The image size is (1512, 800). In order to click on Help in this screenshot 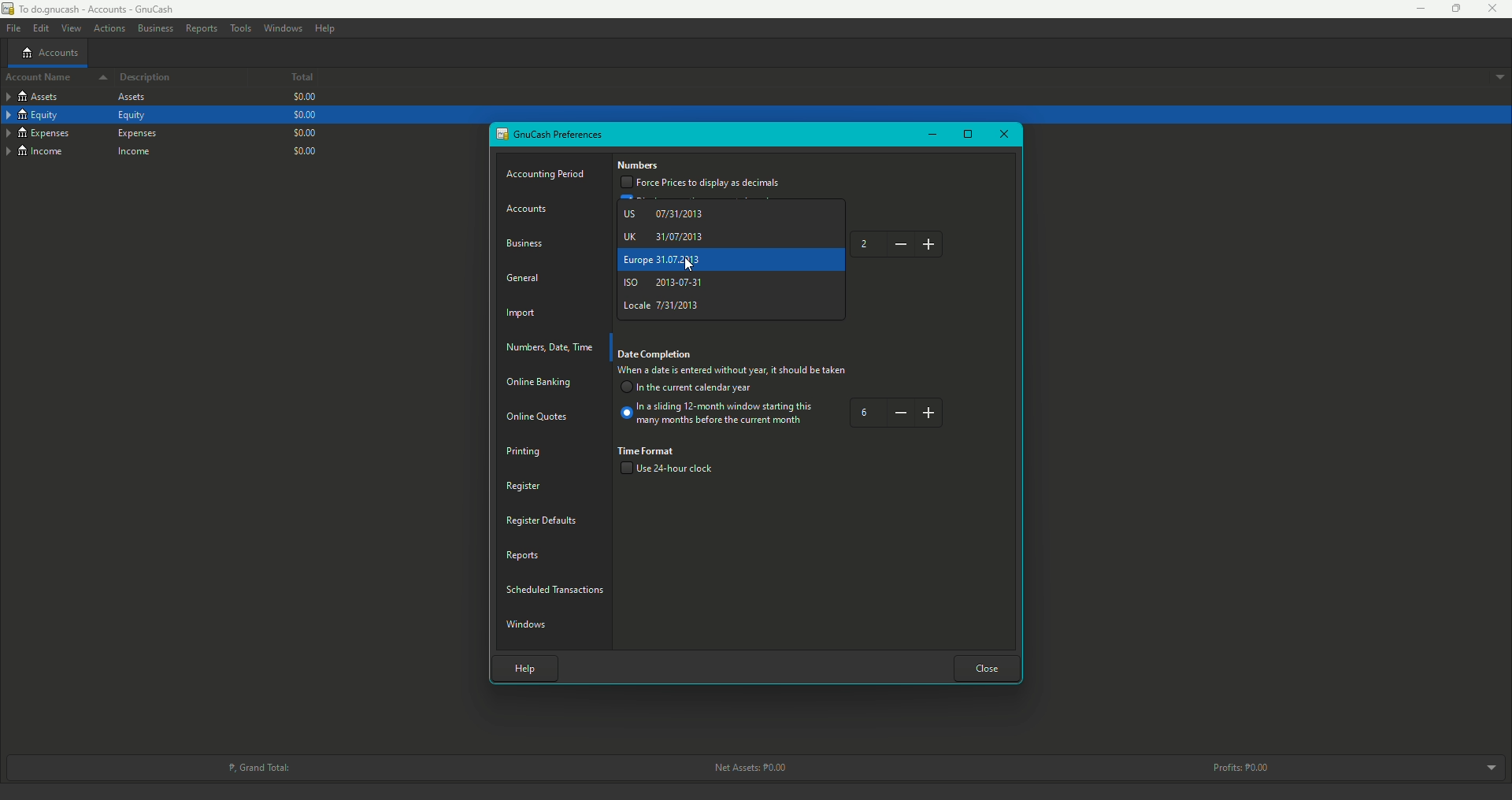, I will do `click(325, 28)`.